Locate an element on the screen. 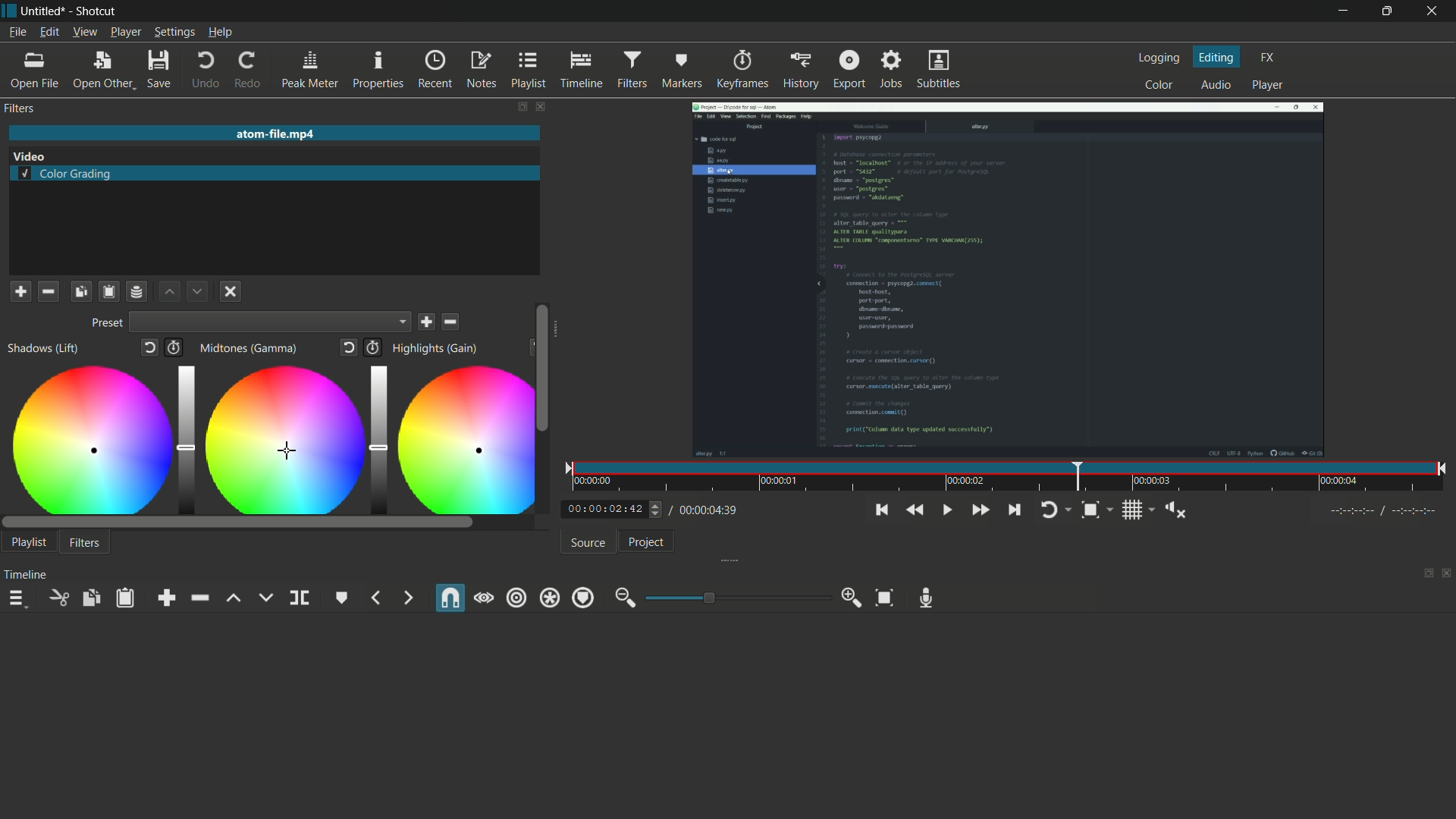  previous marker is located at coordinates (377, 598).